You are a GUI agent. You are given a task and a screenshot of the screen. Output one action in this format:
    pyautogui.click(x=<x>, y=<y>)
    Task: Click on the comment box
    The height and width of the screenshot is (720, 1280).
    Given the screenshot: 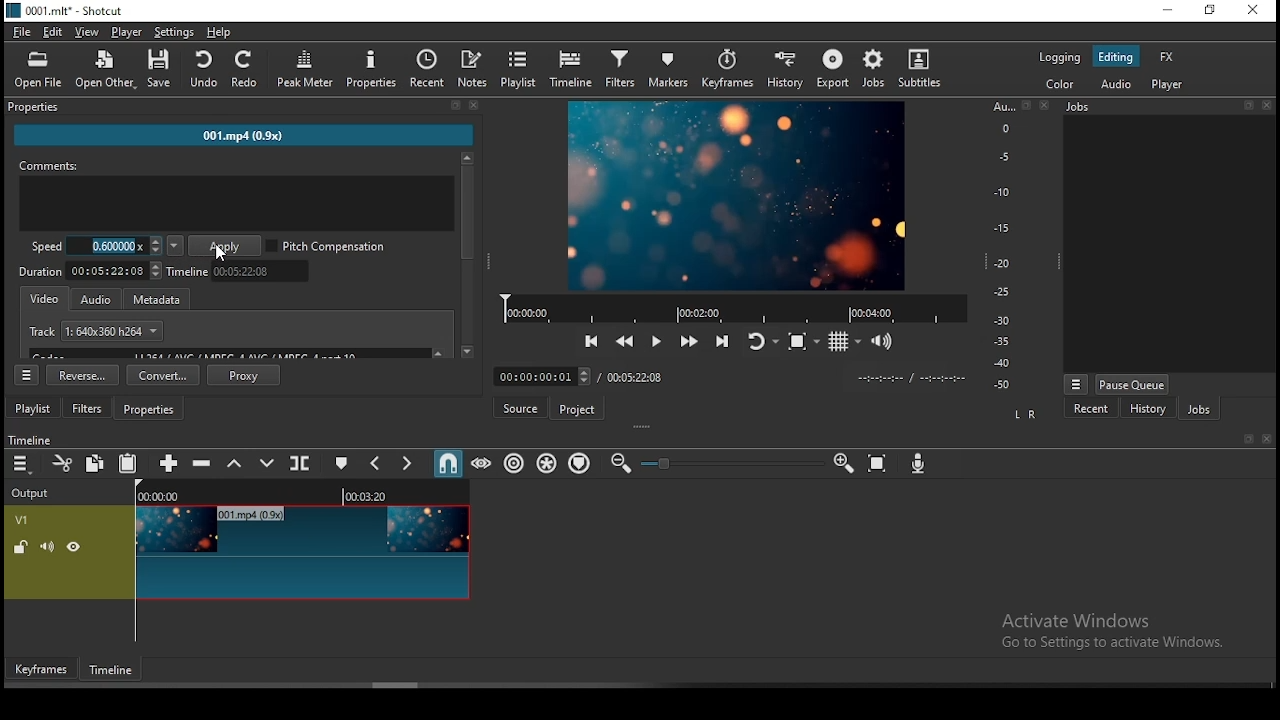 What is the action you would take?
    pyautogui.click(x=239, y=203)
    